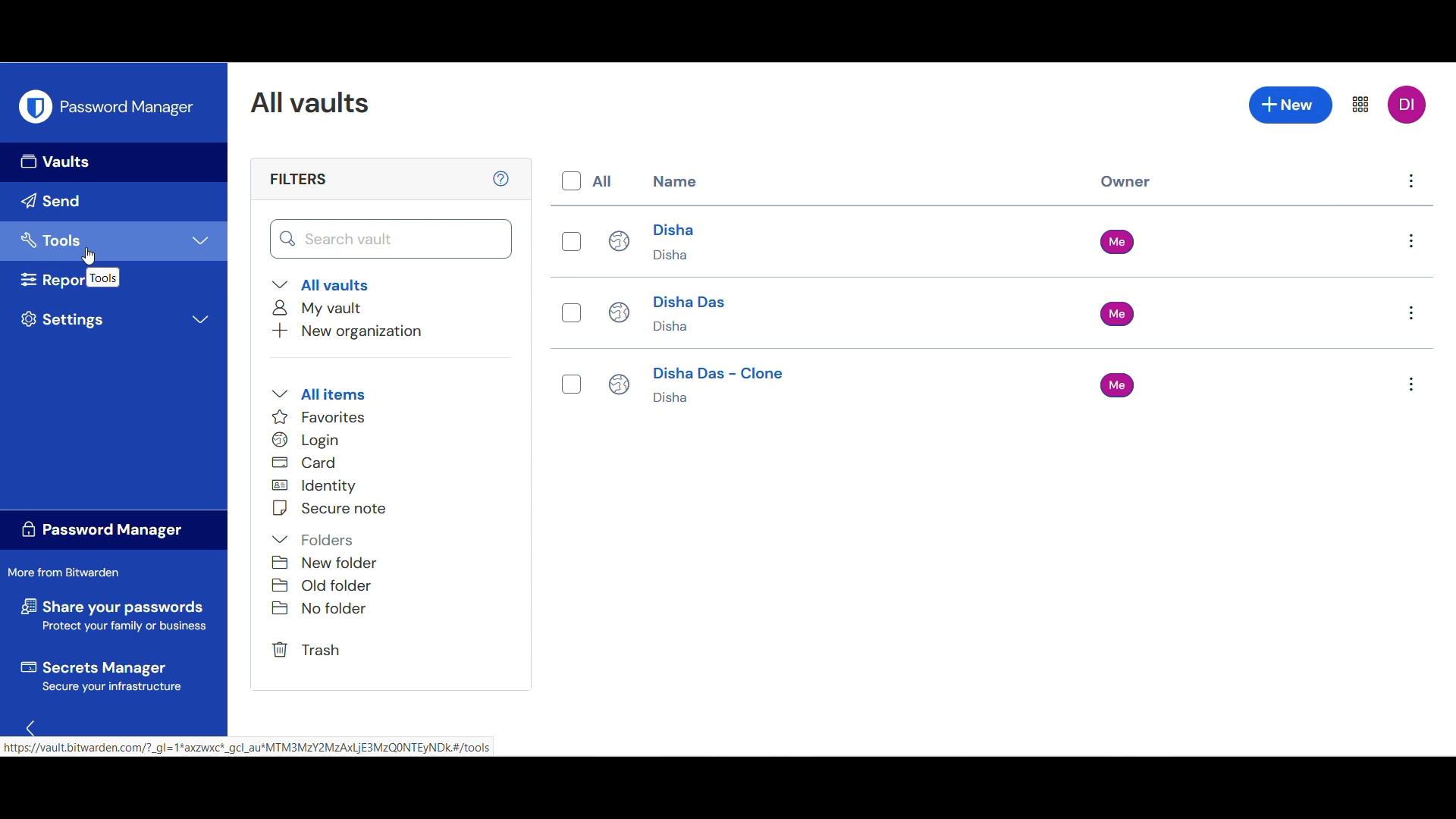 The height and width of the screenshot is (819, 1456). What do you see at coordinates (129, 108) in the screenshot?
I see `Password manager` at bounding box center [129, 108].